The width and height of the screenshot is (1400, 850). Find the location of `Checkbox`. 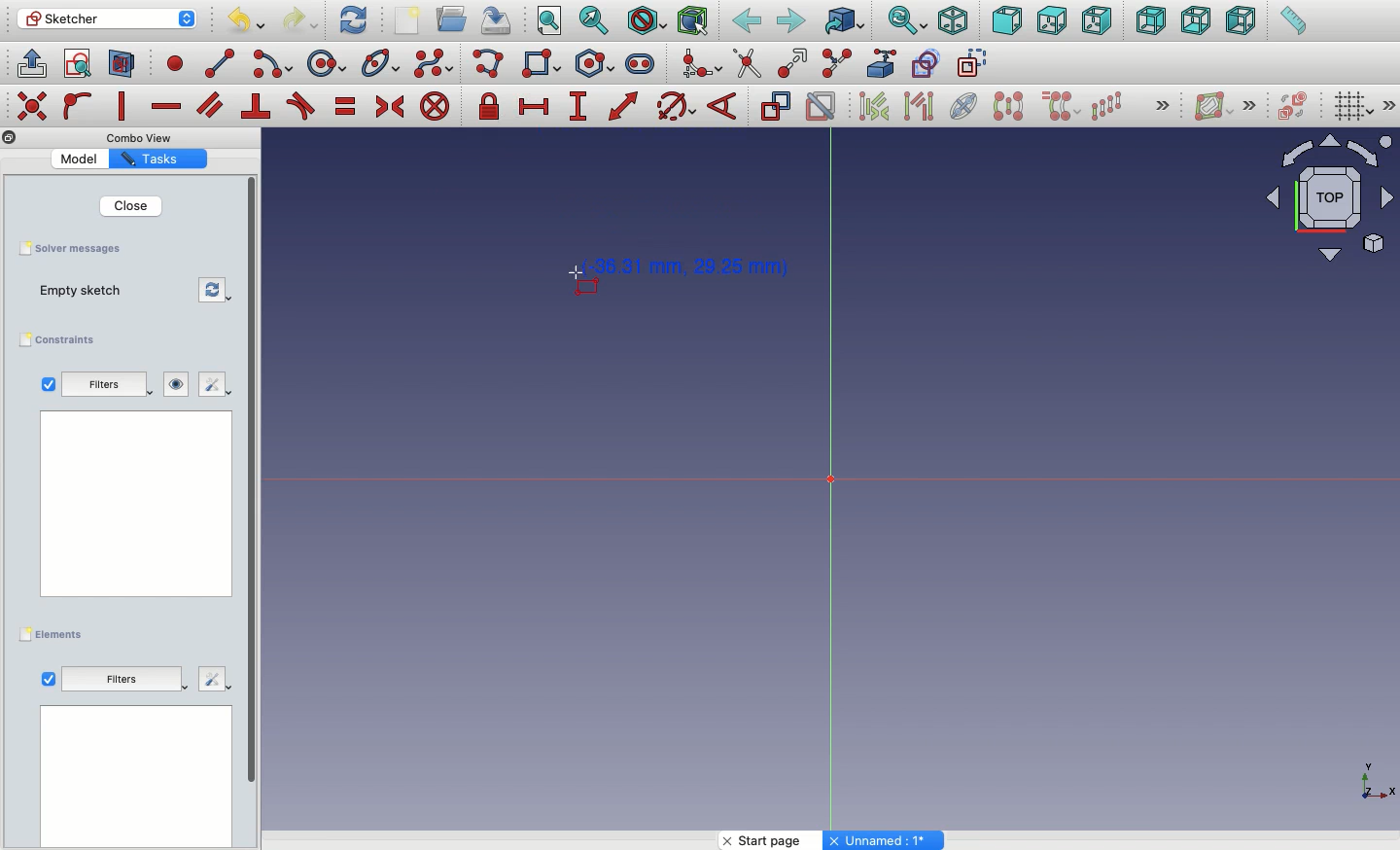

Checkbox is located at coordinates (49, 680).